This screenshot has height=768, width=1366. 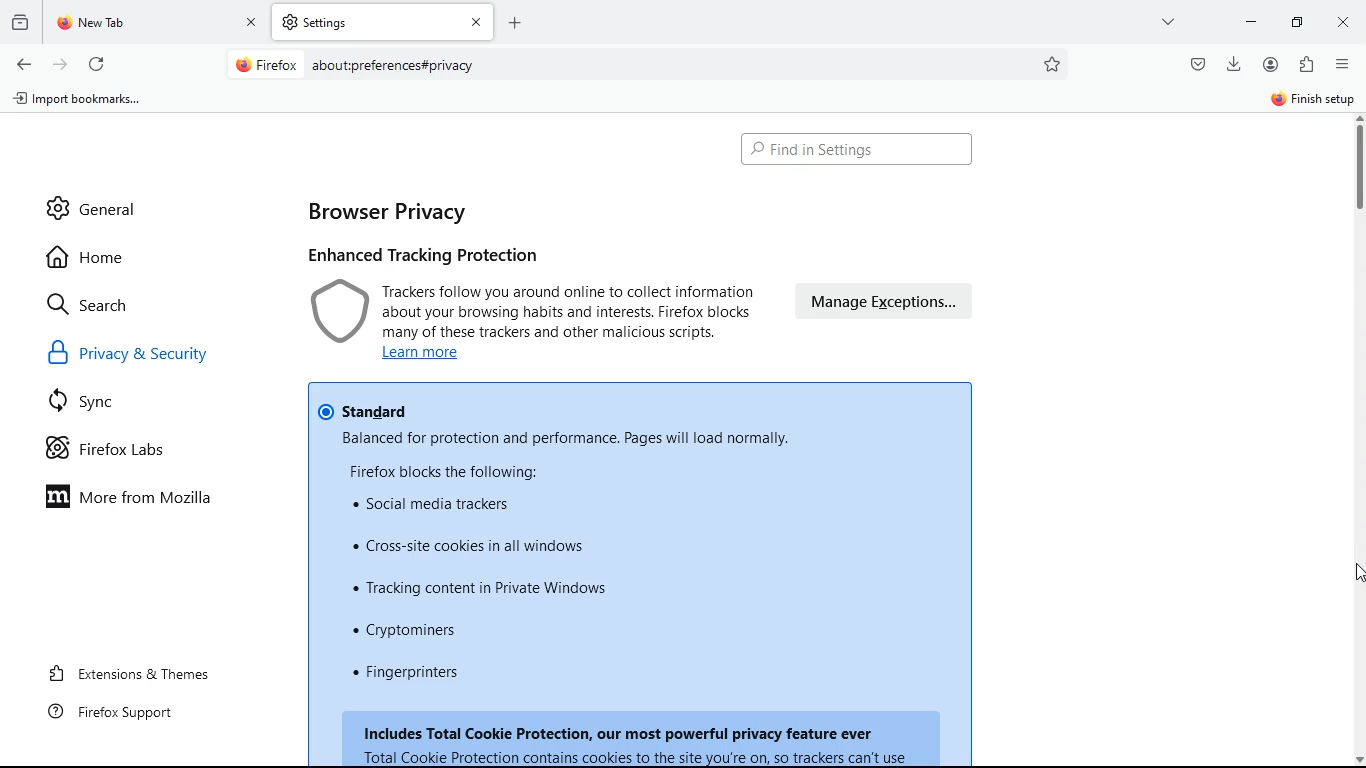 I want to click on sync, so click(x=91, y=405).